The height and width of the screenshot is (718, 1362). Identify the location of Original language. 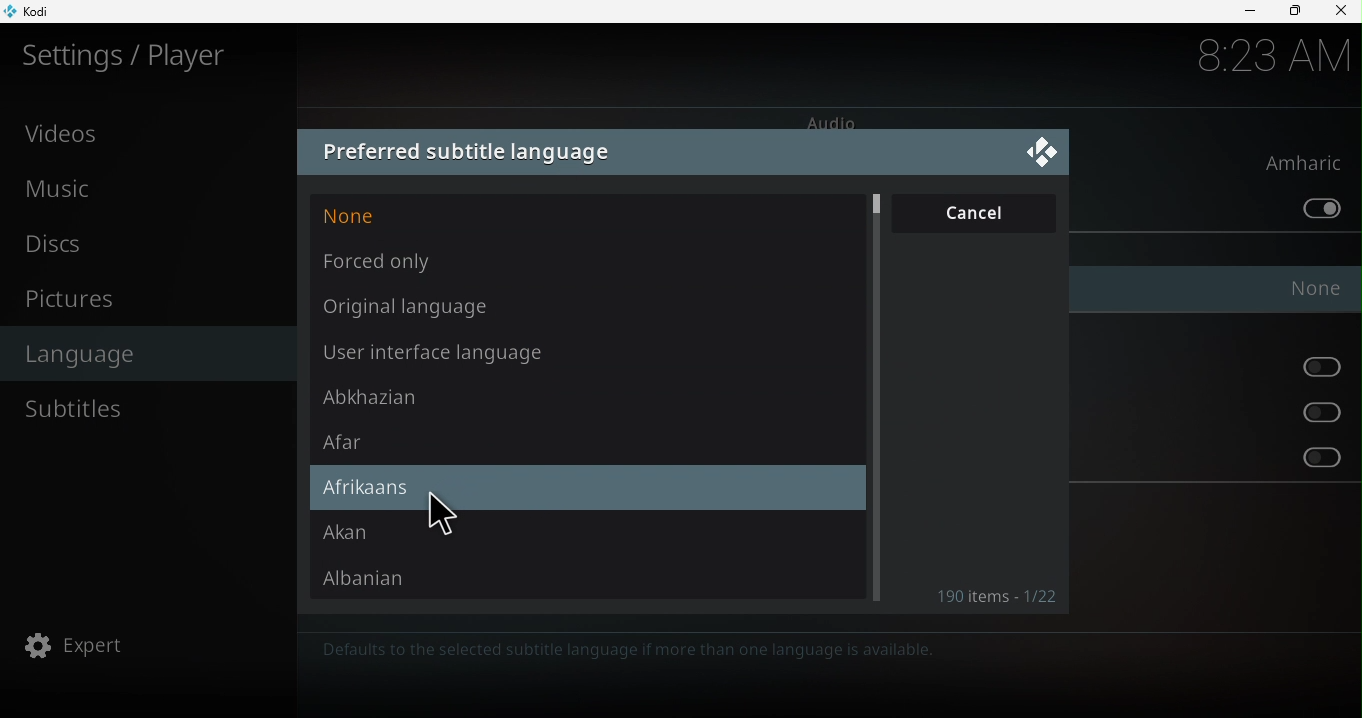
(582, 307).